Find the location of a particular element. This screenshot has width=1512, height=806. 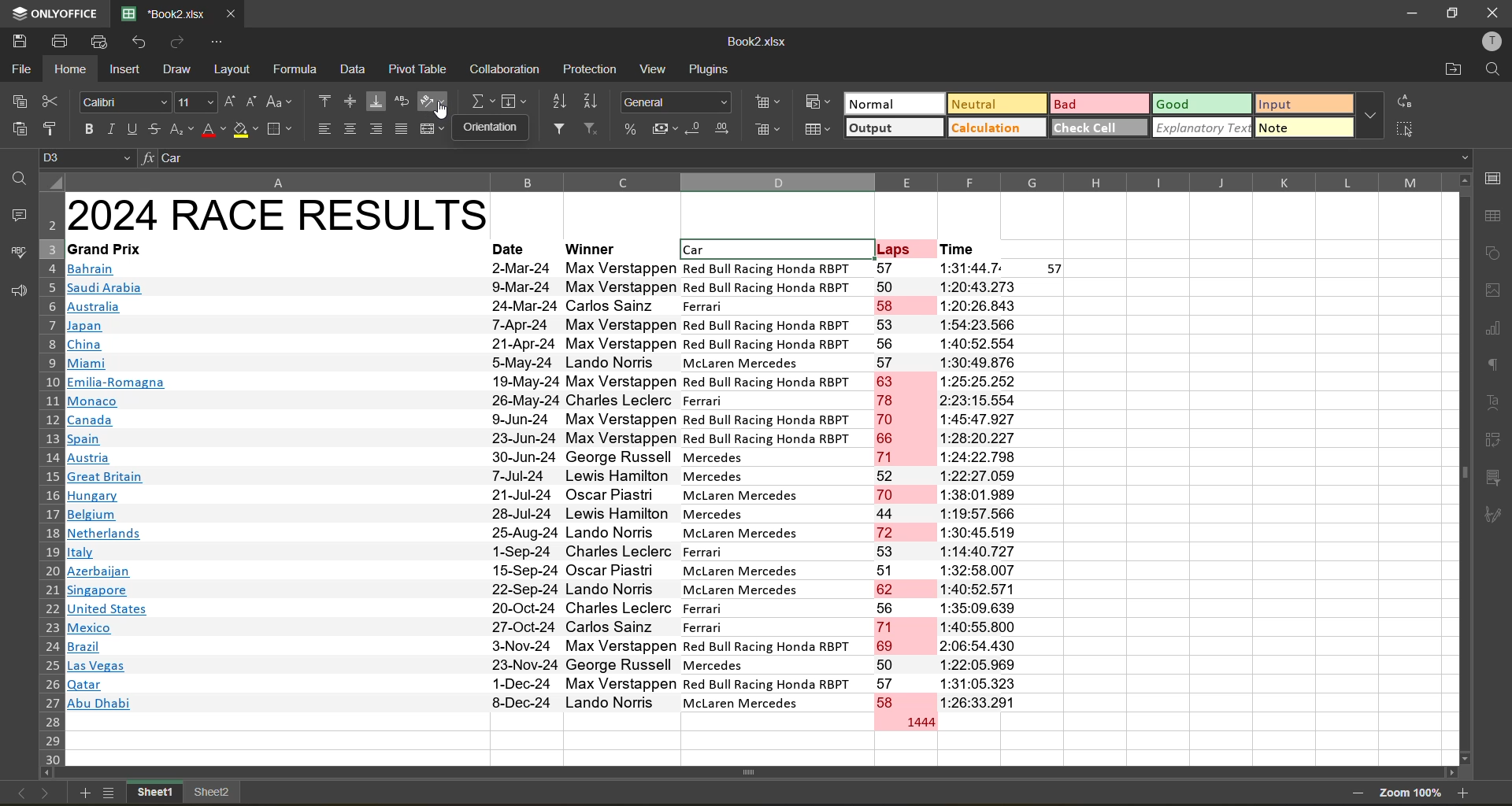

cut is located at coordinates (51, 100).